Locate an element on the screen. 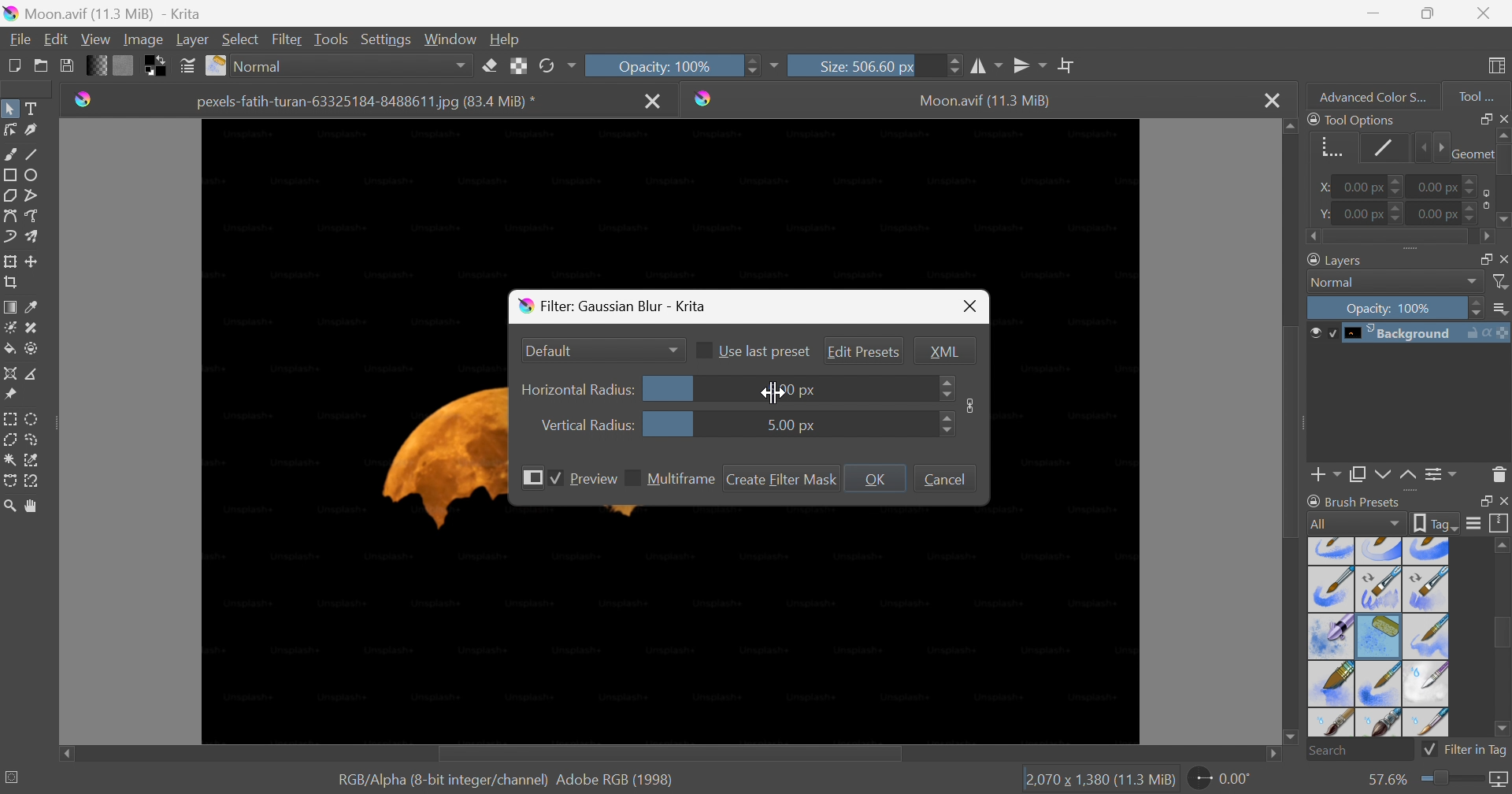 The image size is (1512, 794). Settings is located at coordinates (386, 41).